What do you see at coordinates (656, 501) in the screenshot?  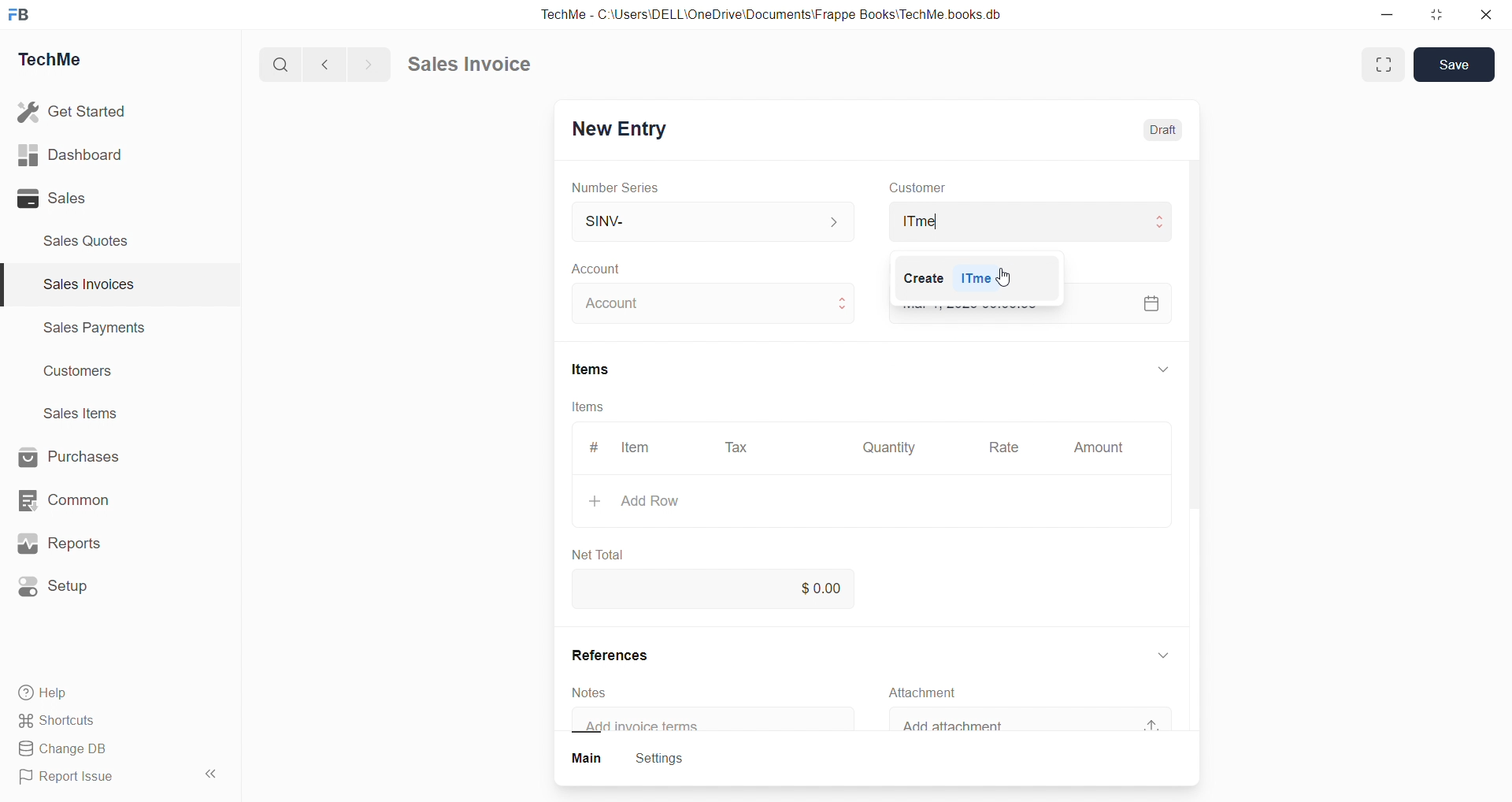 I see `+ Add Row` at bounding box center [656, 501].